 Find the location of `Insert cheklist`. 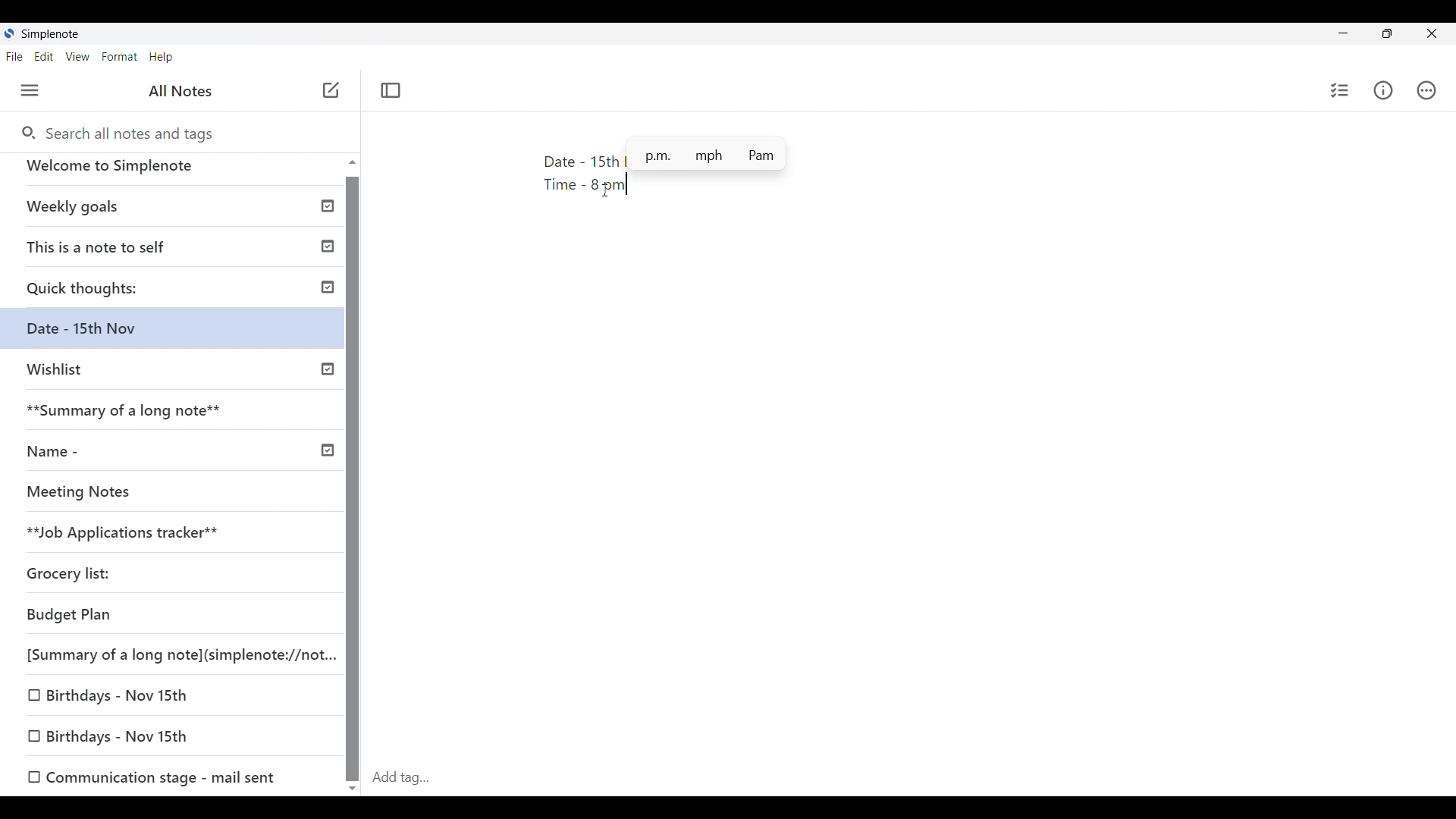

Insert cheklist is located at coordinates (1339, 90).